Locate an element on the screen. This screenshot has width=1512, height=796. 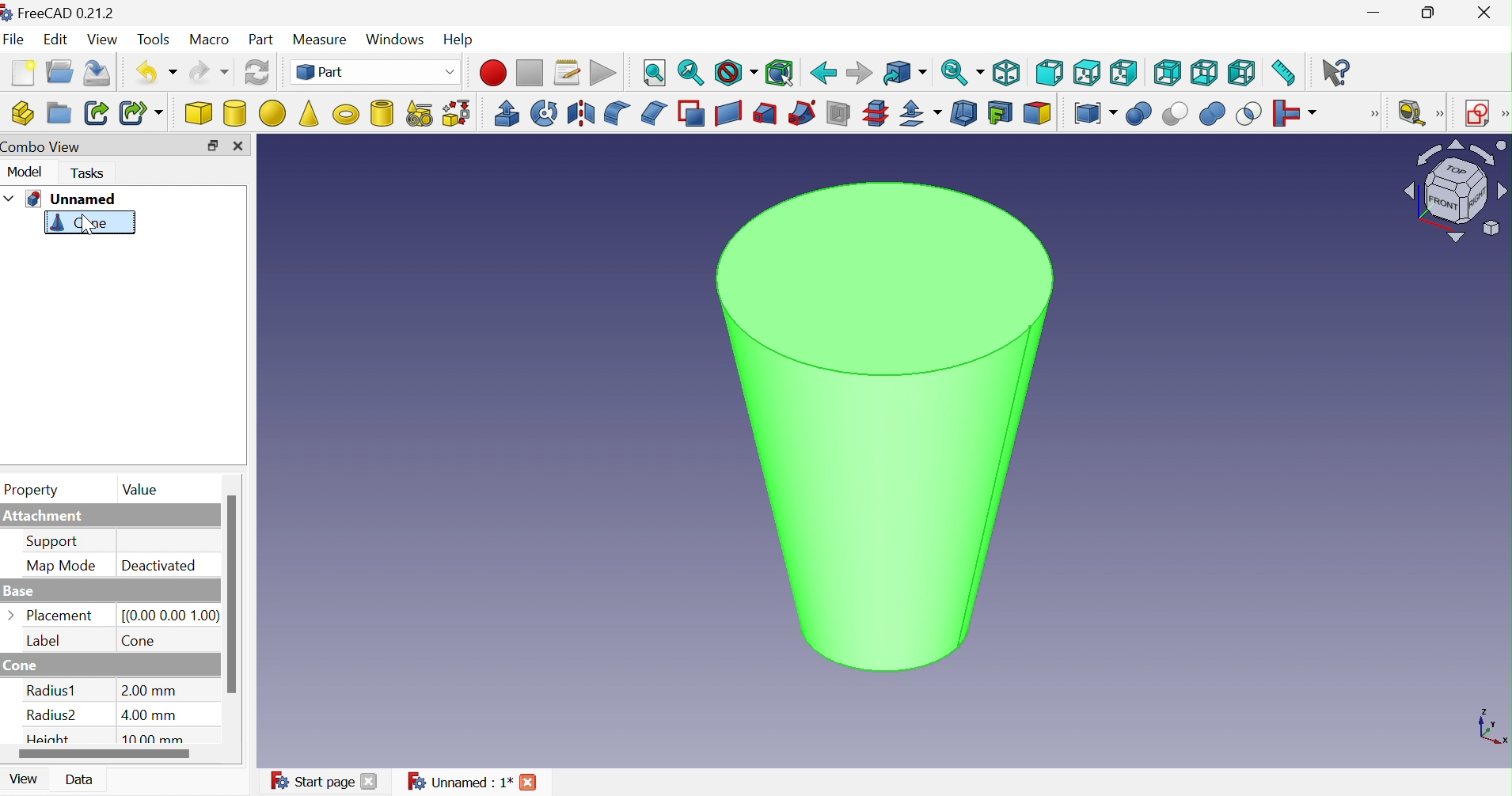
Open is located at coordinates (59, 72).